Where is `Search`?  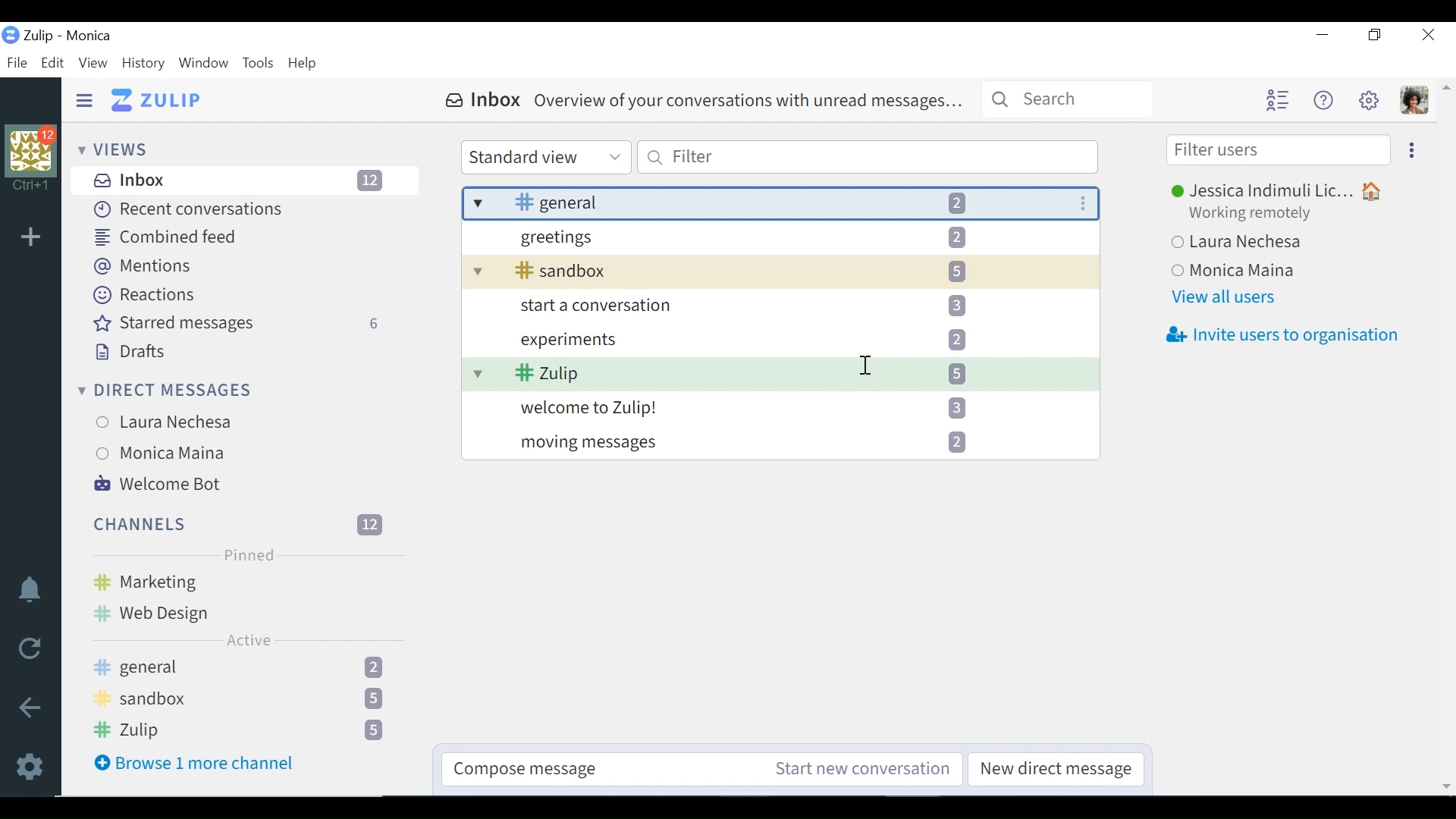 Search is located at coordinates (1066, 101).